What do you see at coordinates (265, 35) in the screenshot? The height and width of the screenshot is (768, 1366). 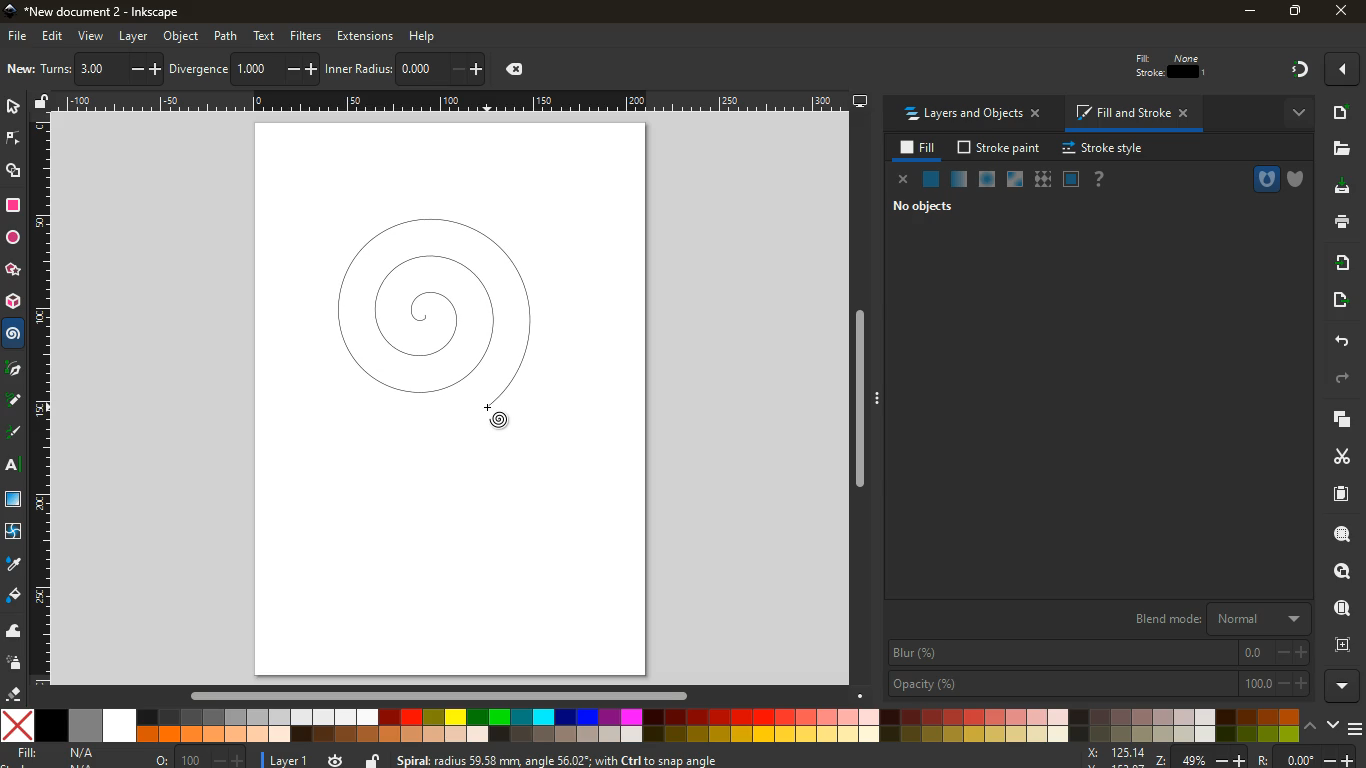 I see `text` at bounding box center [265, 35].